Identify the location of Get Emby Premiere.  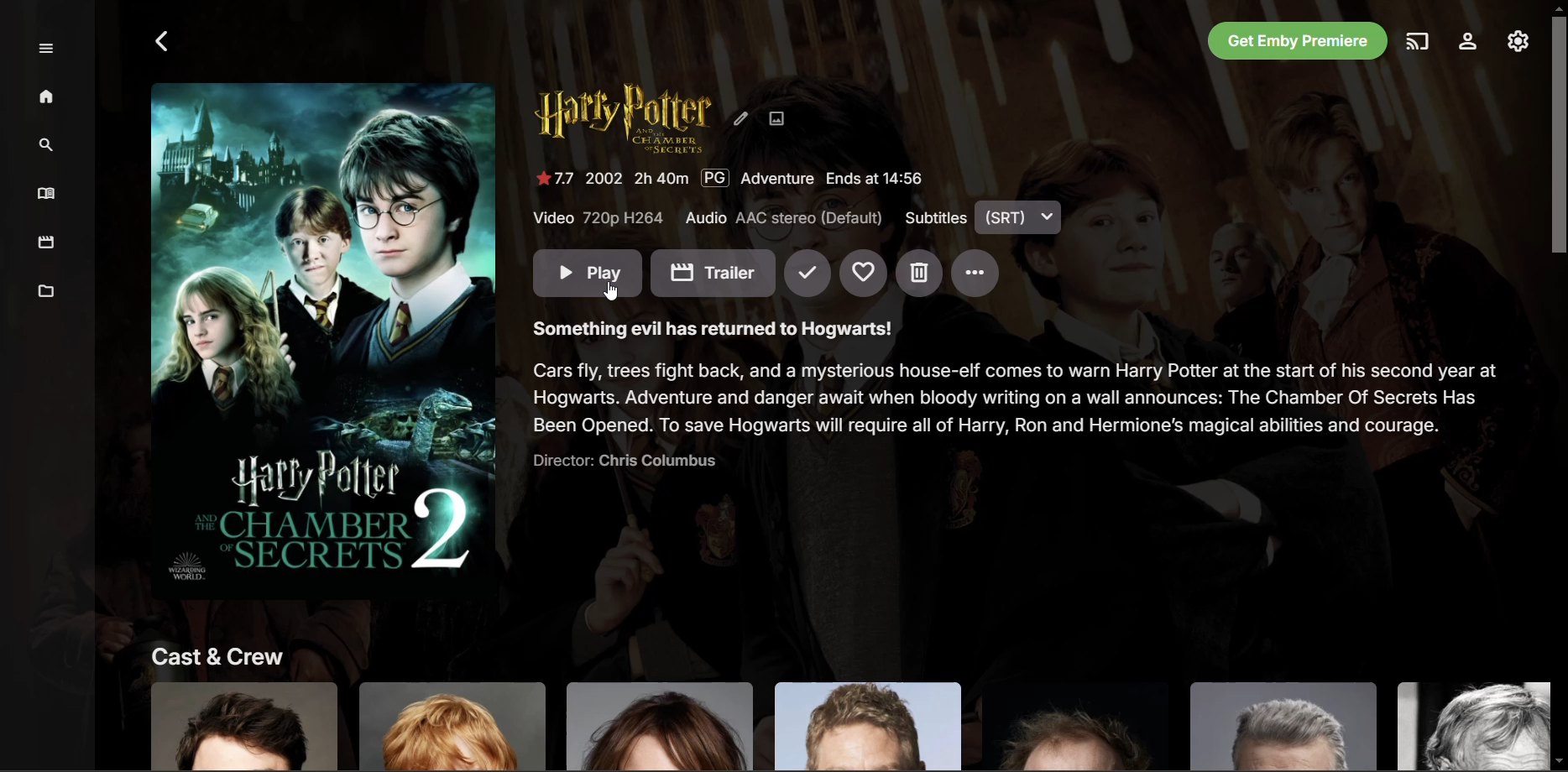
(1297, 42).